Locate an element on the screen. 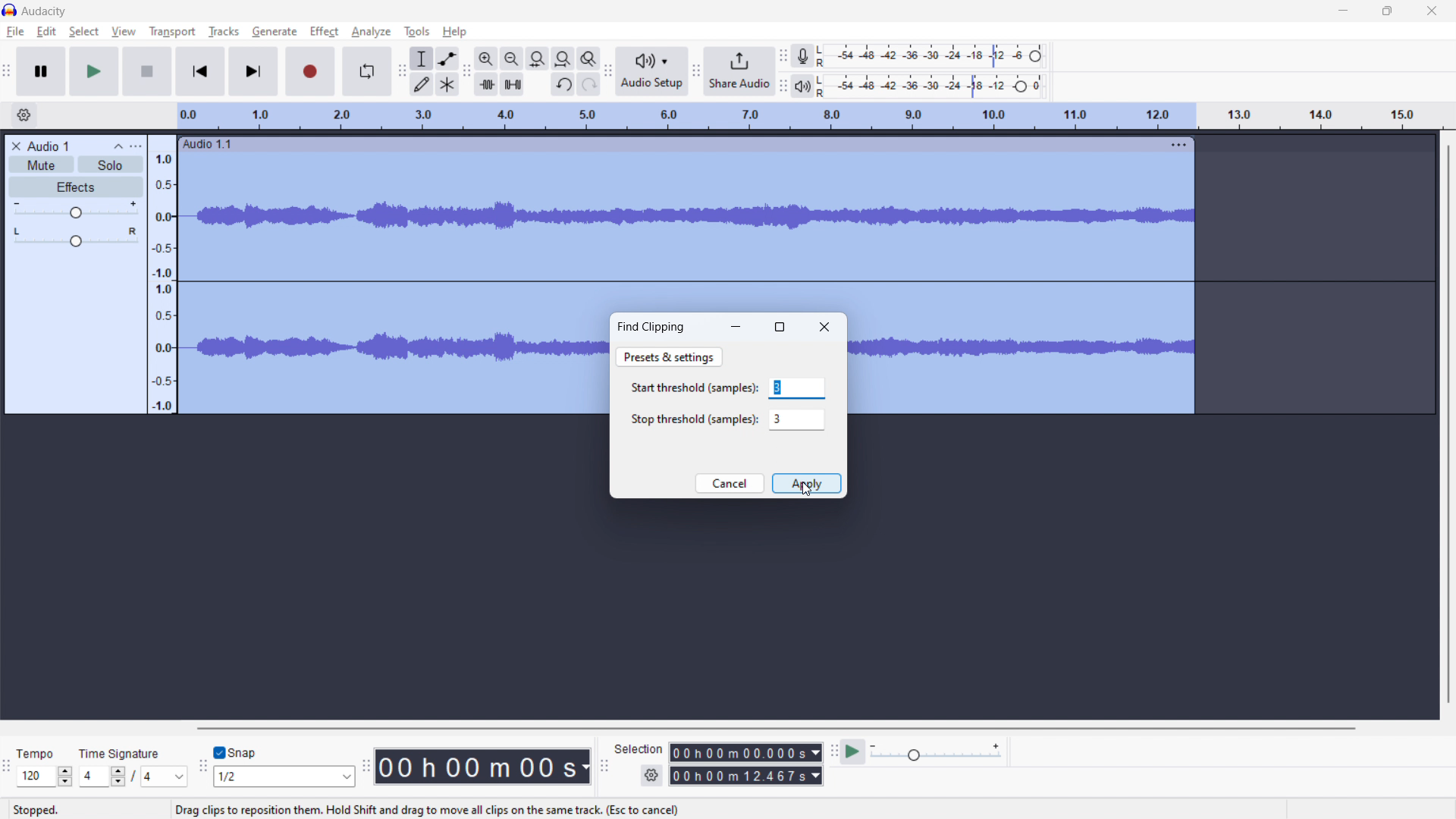  recording level is located at coordinates (930, 55).